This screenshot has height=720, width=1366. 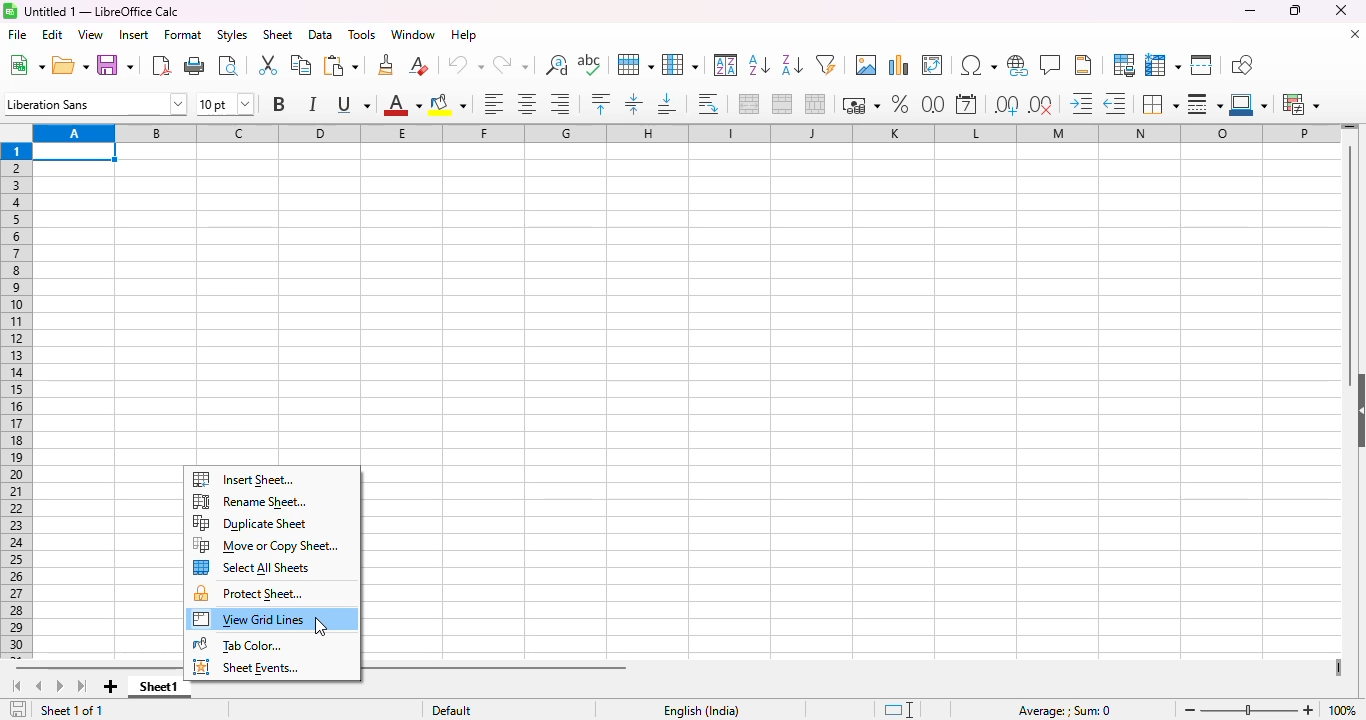 What do you see at coordinates (249, 524) in the screenshot?
I see `duplicate sheet` at bounding box center [249, 524].